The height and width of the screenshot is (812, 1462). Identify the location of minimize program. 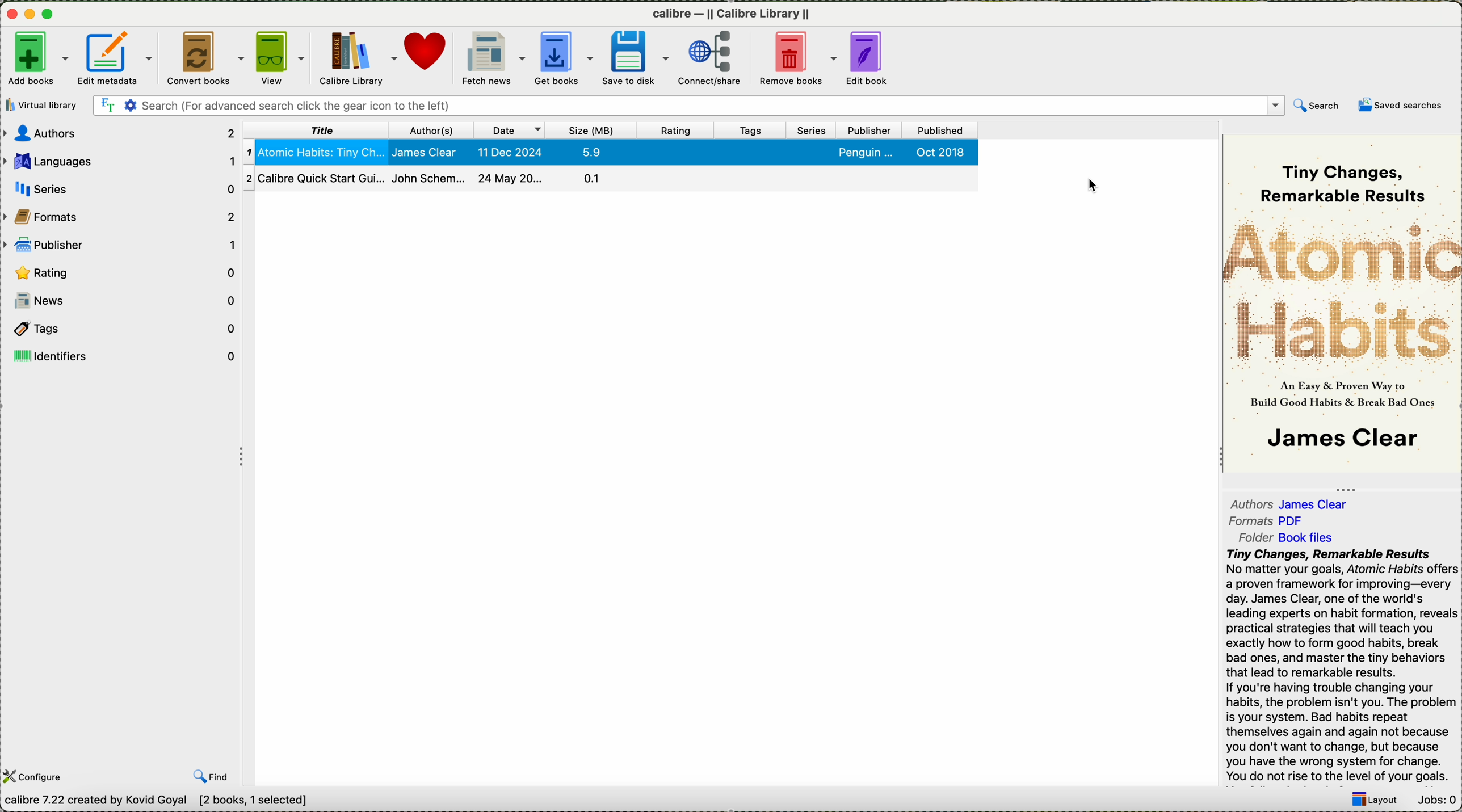
(32, 15).